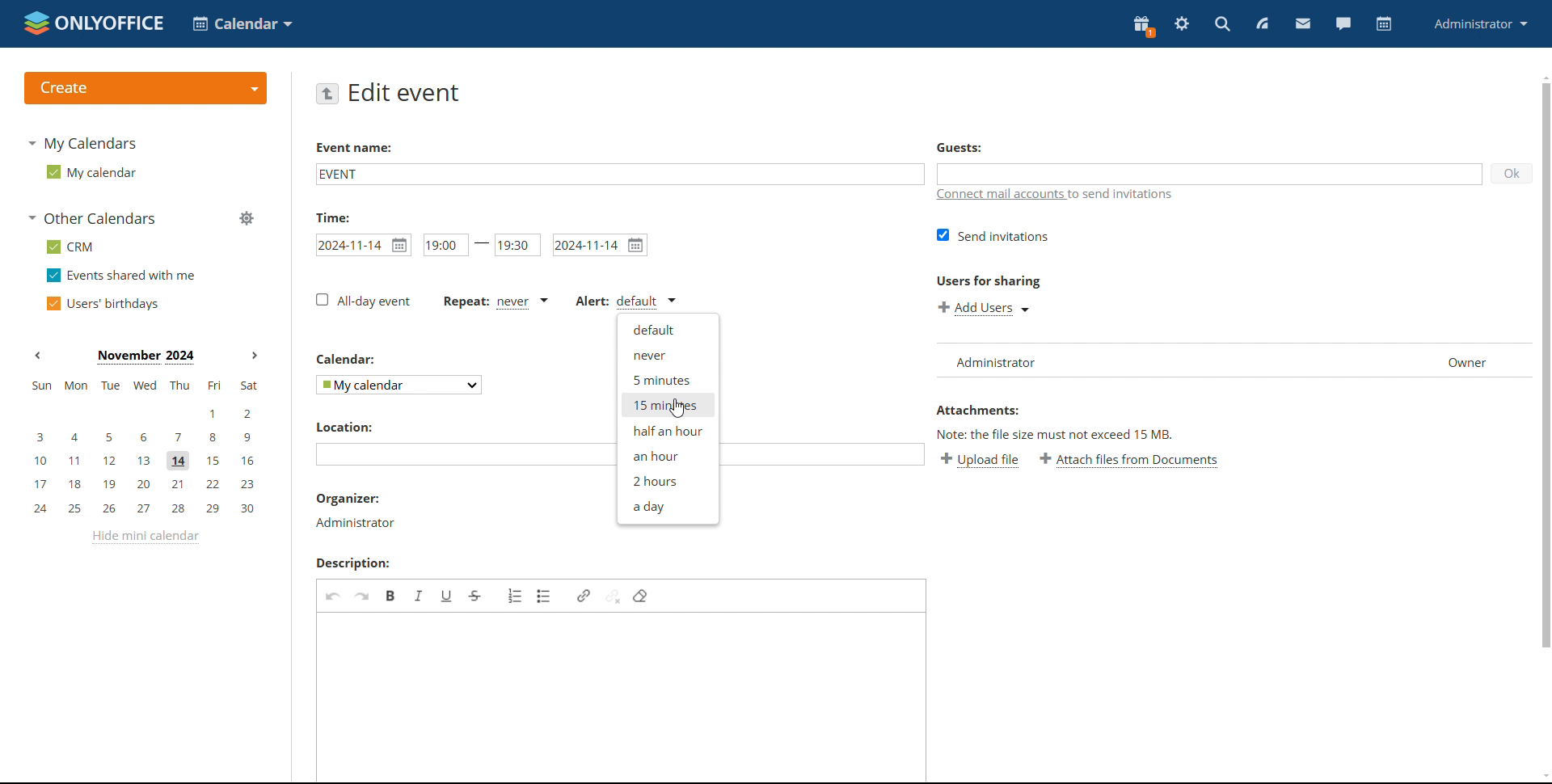 This screenshot has height=784, width=1552. Describe the element at coordinates (406, 92) in the screenshot. I see `edit event` at that location.